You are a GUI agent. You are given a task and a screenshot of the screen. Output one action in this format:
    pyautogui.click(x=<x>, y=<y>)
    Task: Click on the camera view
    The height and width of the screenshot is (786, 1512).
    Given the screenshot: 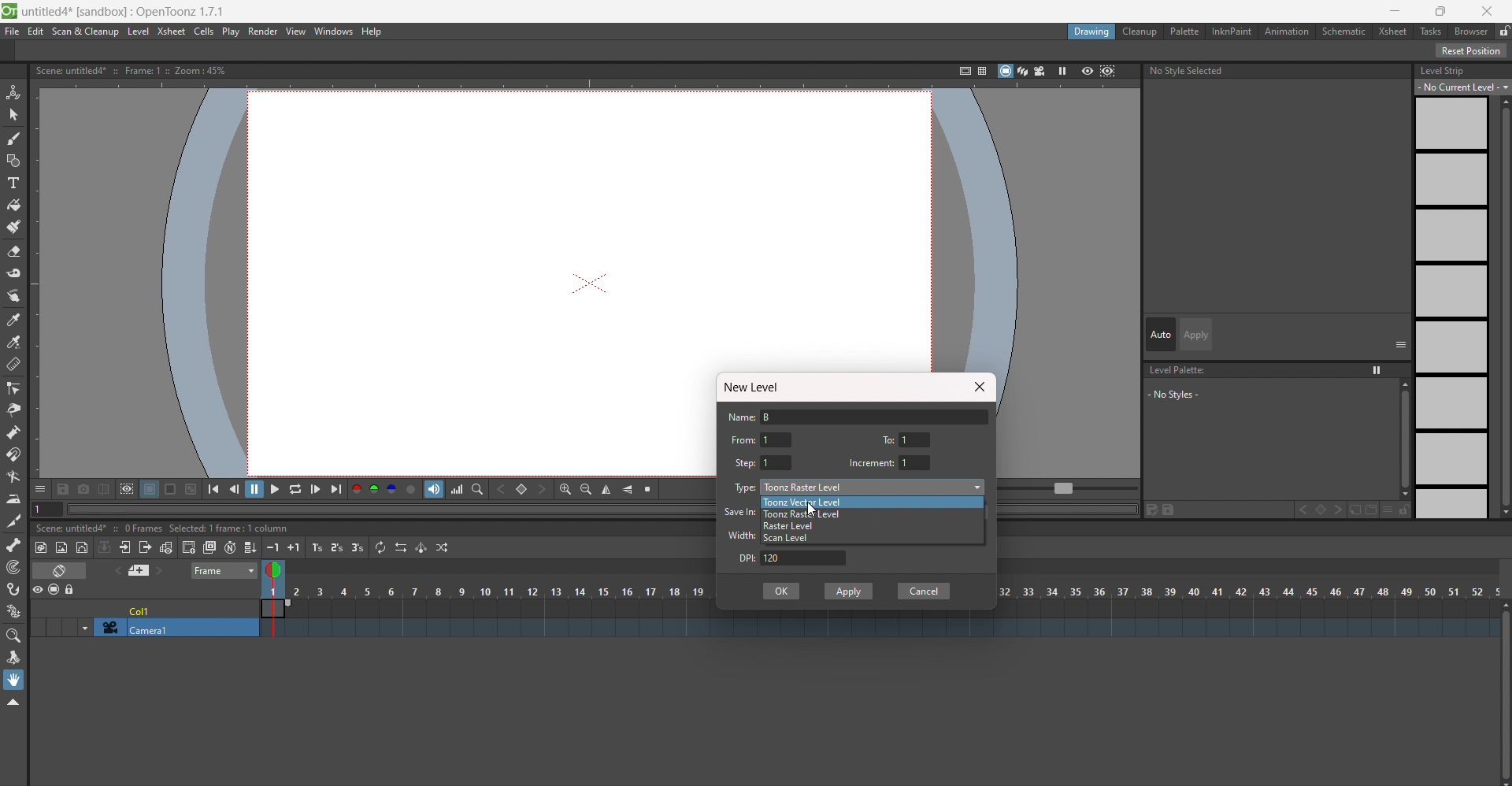 What is the action you would take?
    pyautogui.click(x=1040, y=71)
    